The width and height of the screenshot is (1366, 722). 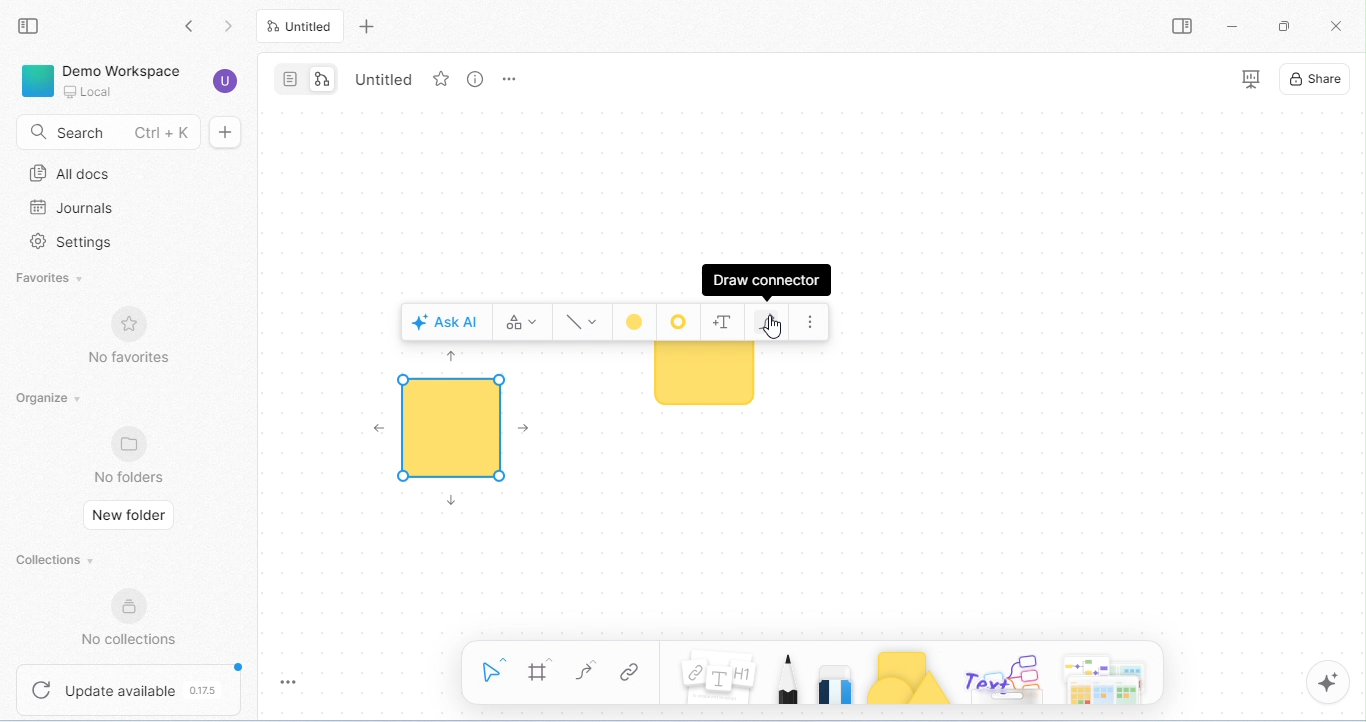 I want to click on open/ close side bar, so click(x=1182, y=26).